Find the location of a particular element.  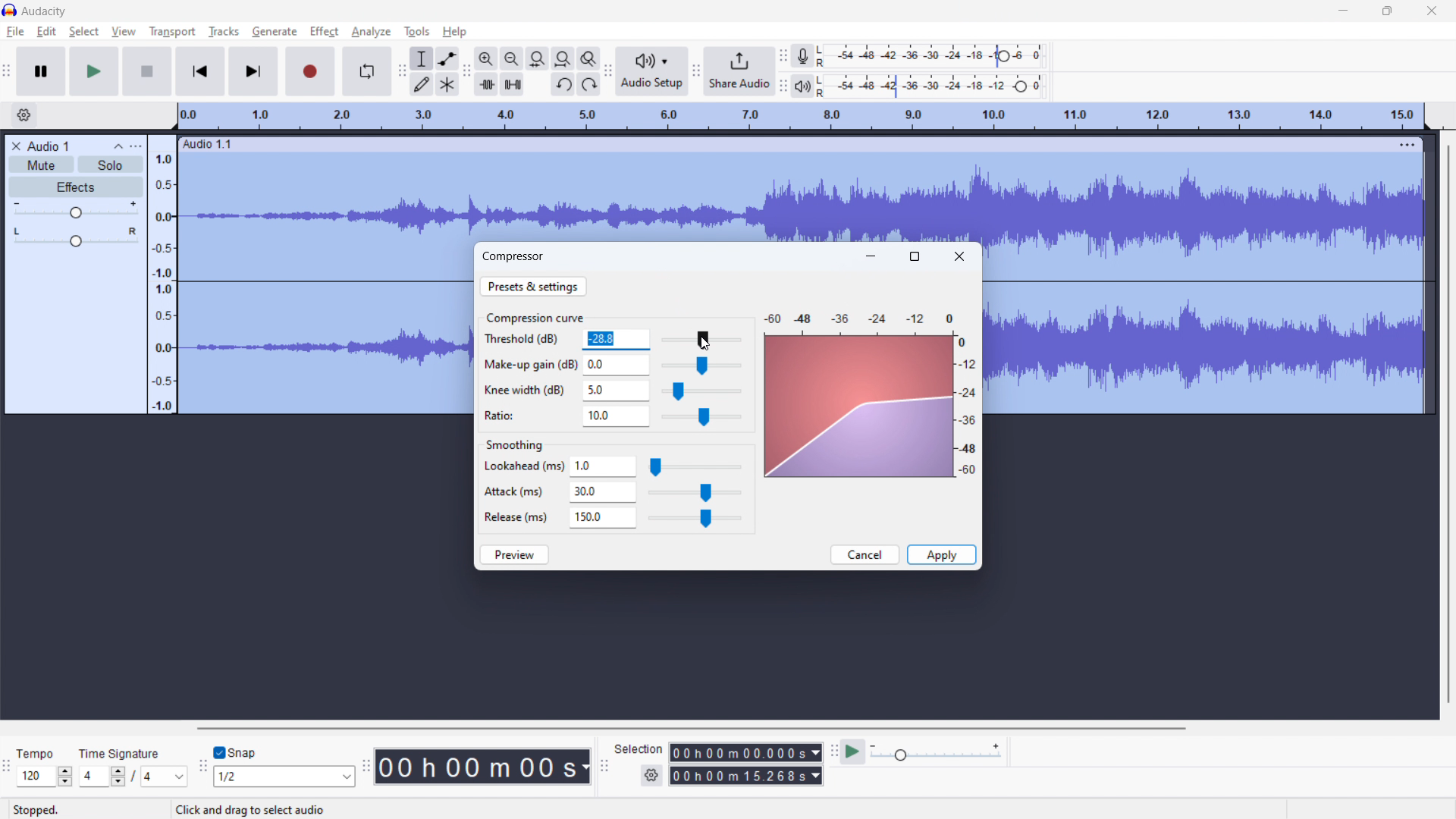

-60 -48 -36 24 -12 0 (Curve x-axis) is located at coordinates (854, 314).